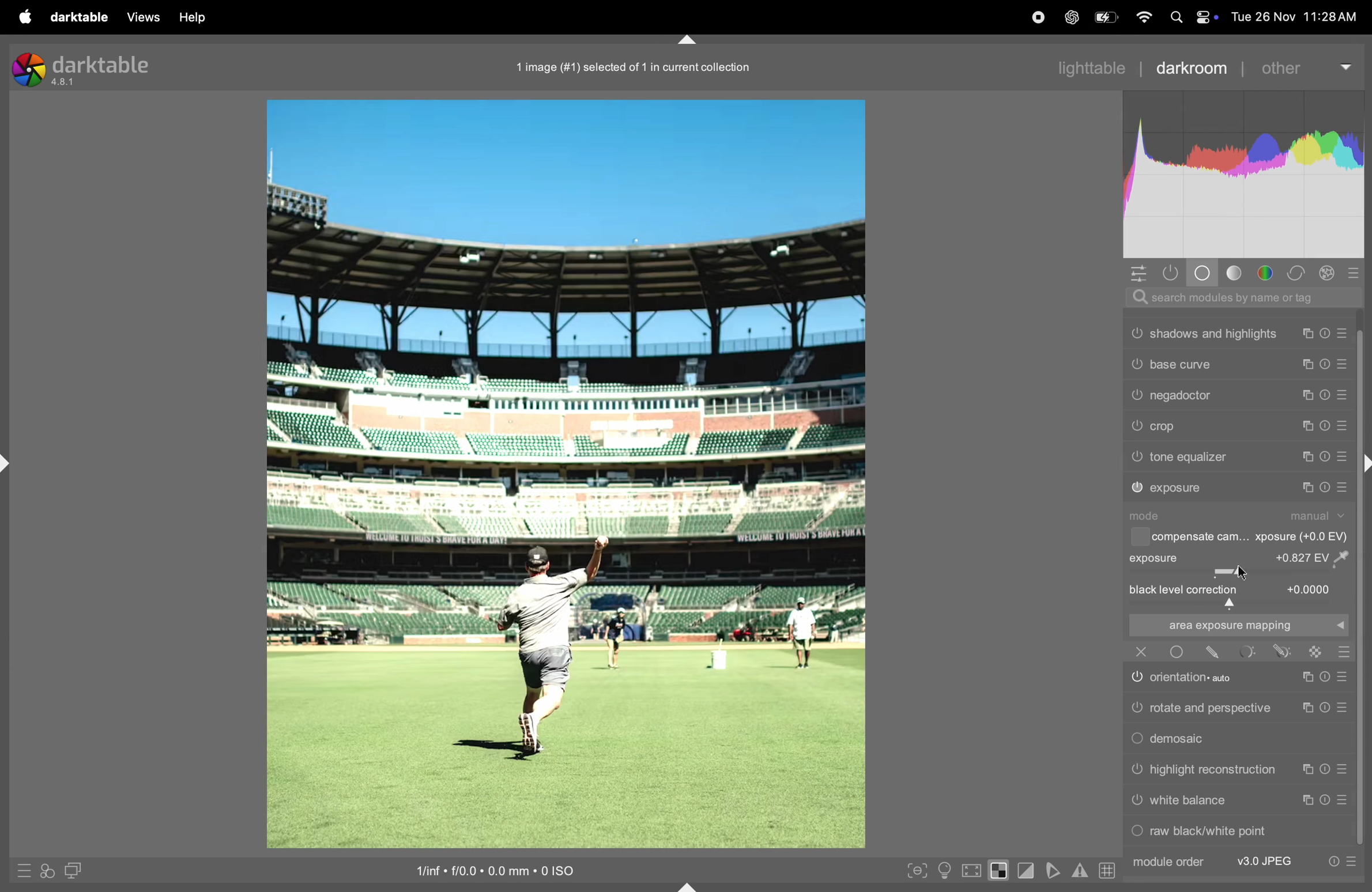 The height and width of the screenshot is (892, 1372). What do you see at coordinates (1176, 652) in the screenshot?
I see `Switch on or off` at bounding box center [1176, 652].